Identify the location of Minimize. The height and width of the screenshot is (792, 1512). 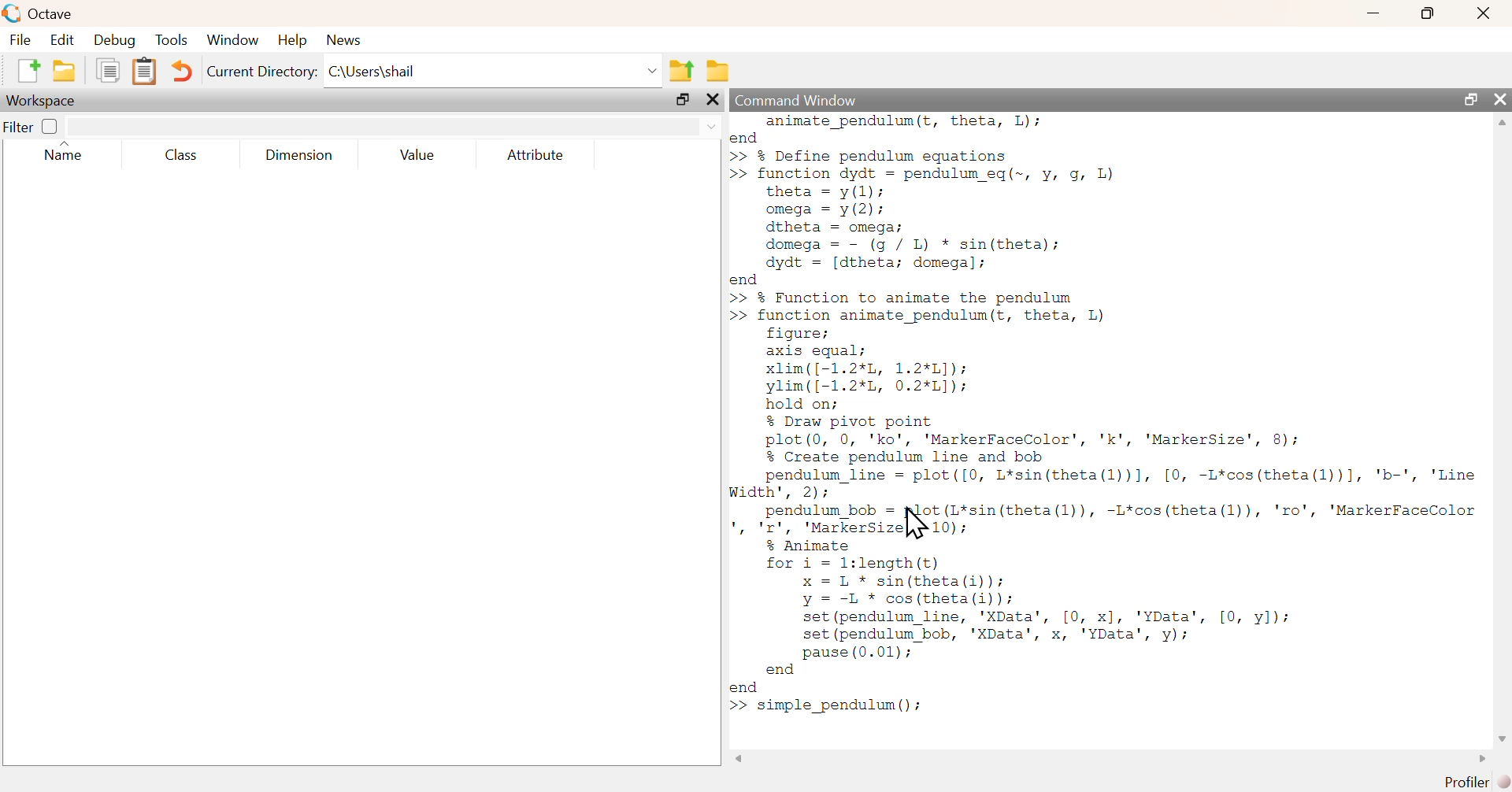
(1374, 13).